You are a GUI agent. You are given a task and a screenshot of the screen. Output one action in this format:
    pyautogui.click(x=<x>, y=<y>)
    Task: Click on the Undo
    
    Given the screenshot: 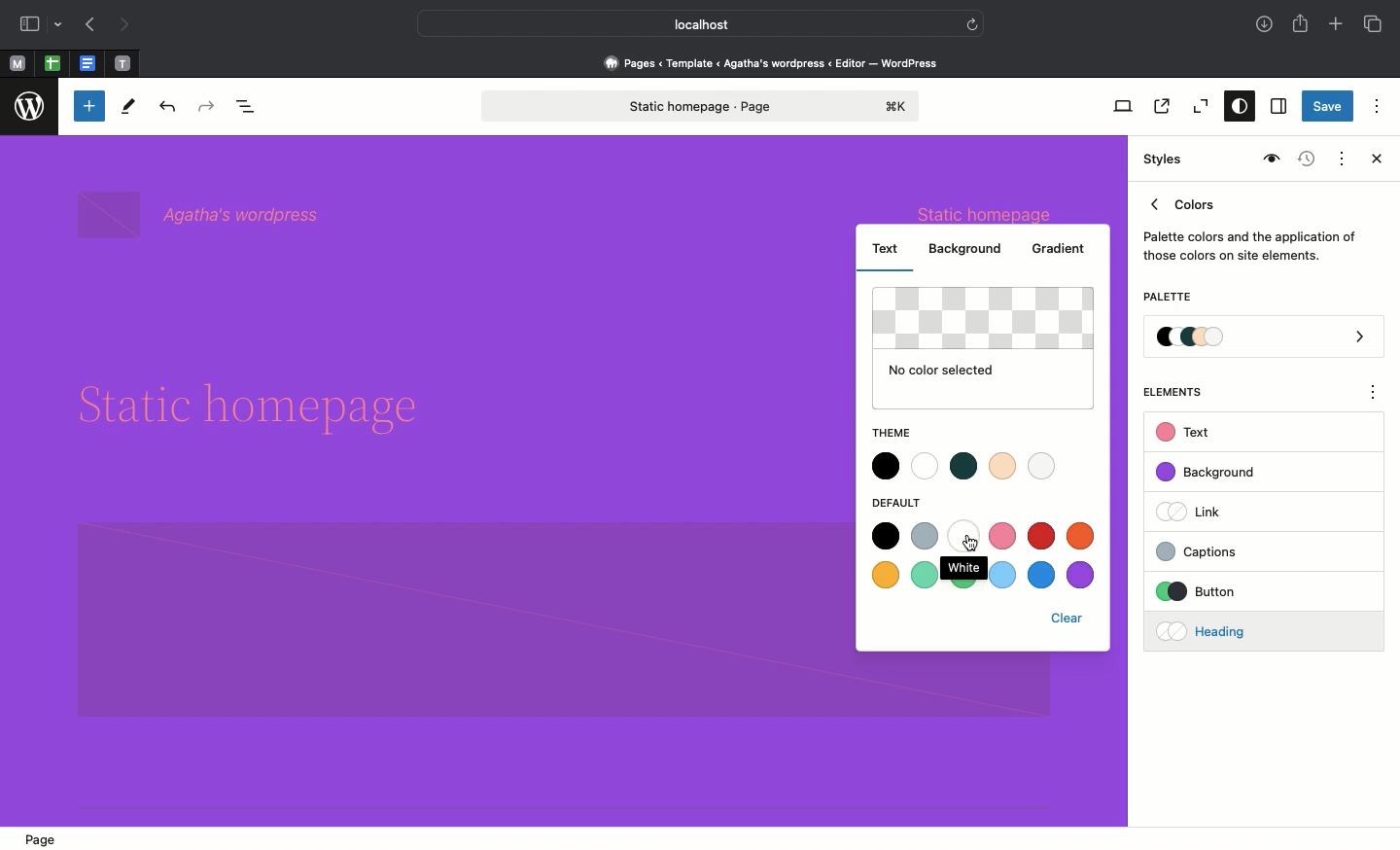 What is the action you would take?
    pyautogui.click(x=167, y=108)
    